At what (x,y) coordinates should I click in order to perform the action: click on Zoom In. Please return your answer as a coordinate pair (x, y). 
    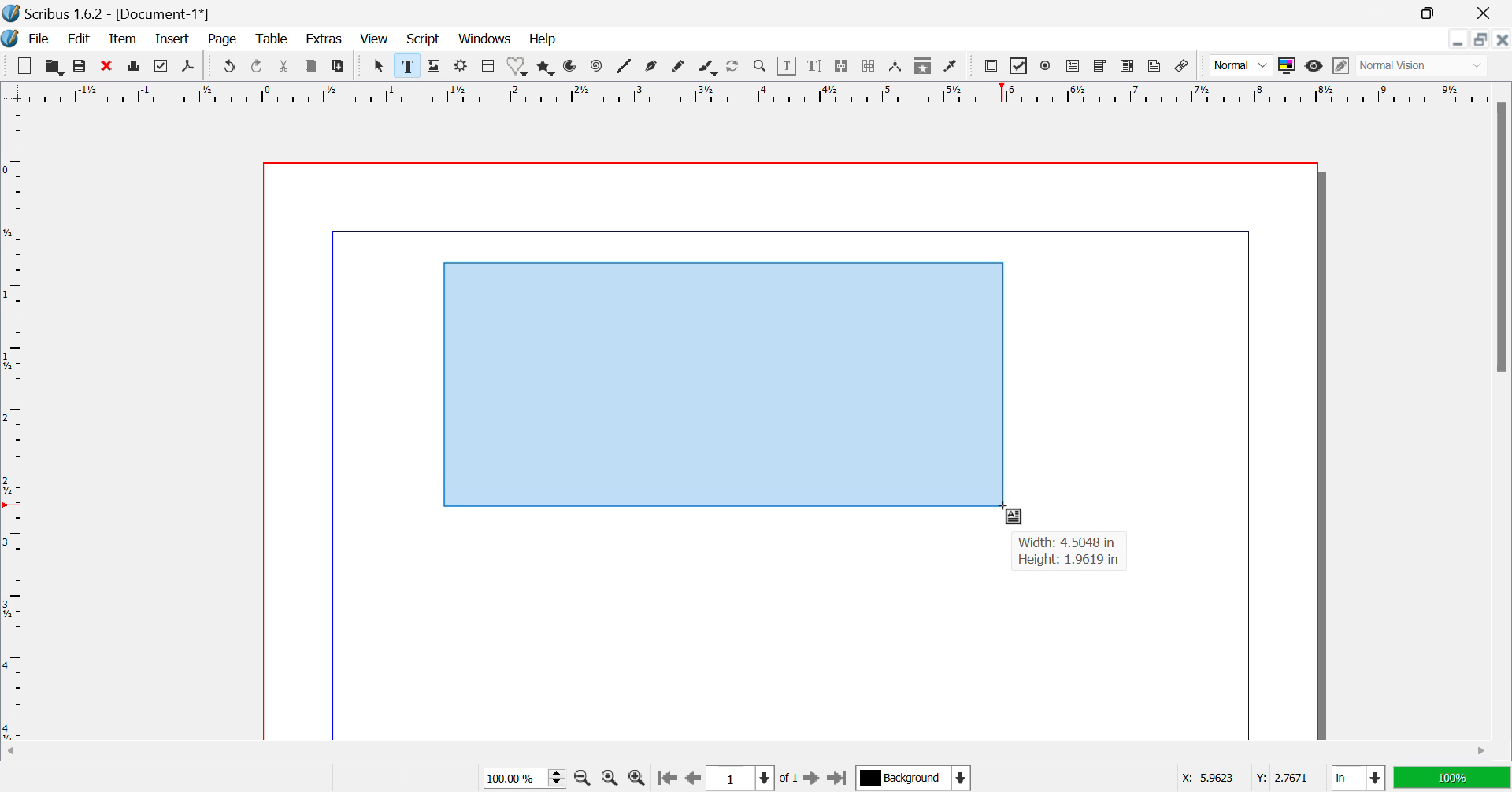
    Looking at the image, I should click on (636, 779).